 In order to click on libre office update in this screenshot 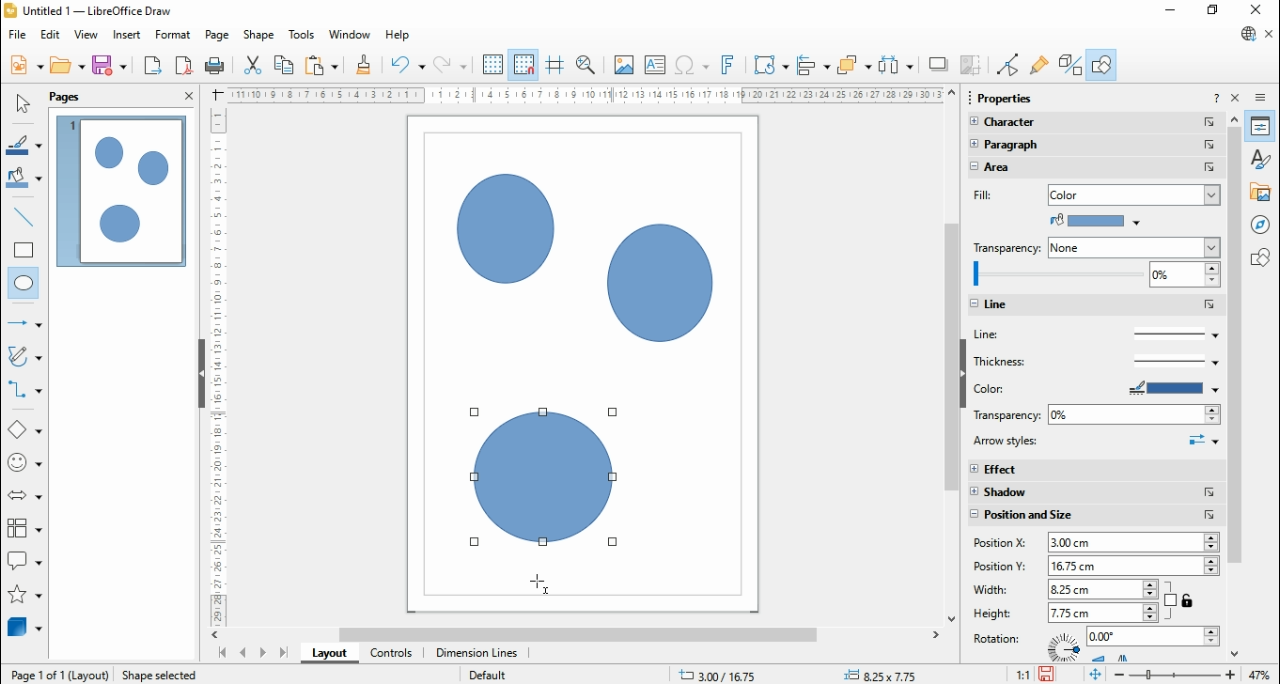, I will do `click(1247, 33)`.